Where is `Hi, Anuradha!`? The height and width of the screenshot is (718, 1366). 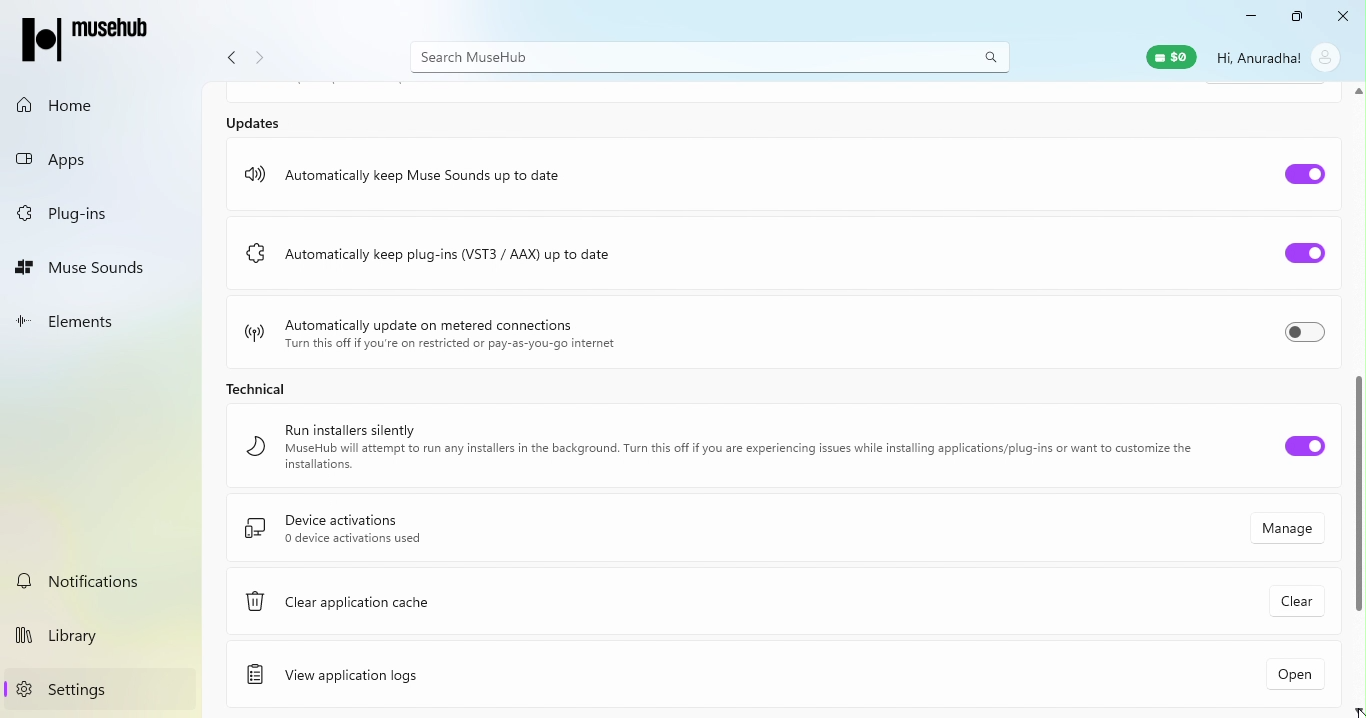
Hi, Anuradha! is located at coordinates (1260, 57).